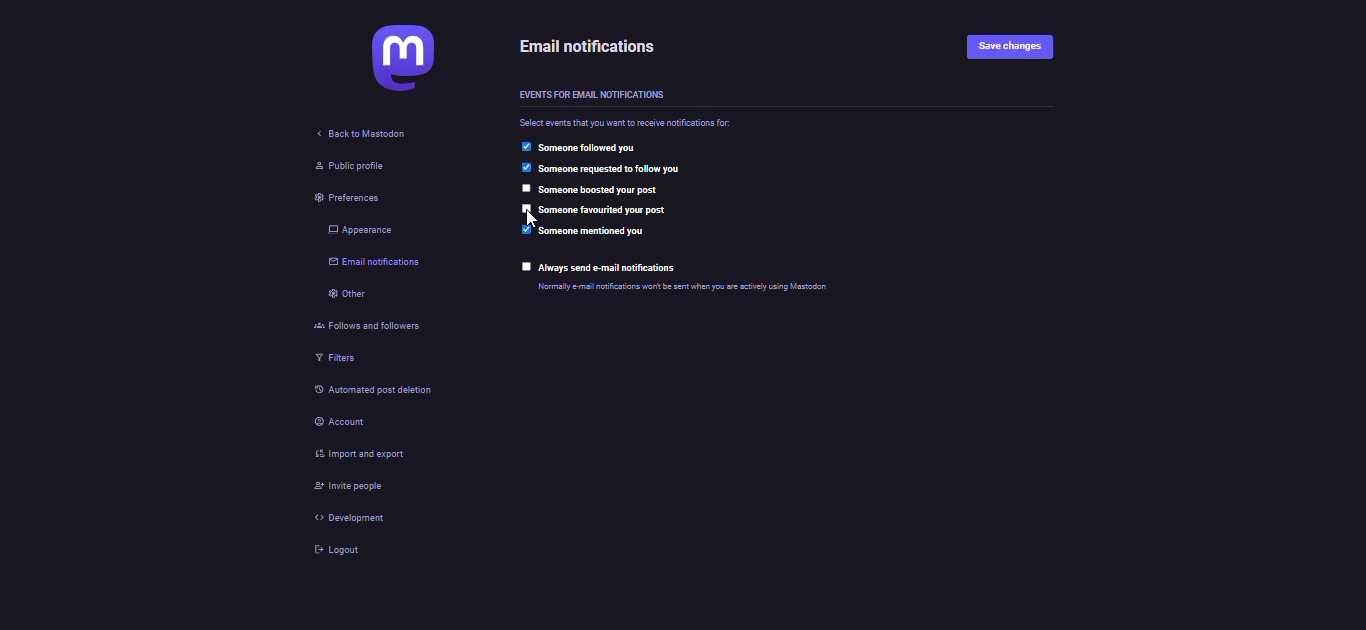 Image resolution: width=1366 pixels, height=630 pixels. I want to click on email notifications, so click(364, 264).